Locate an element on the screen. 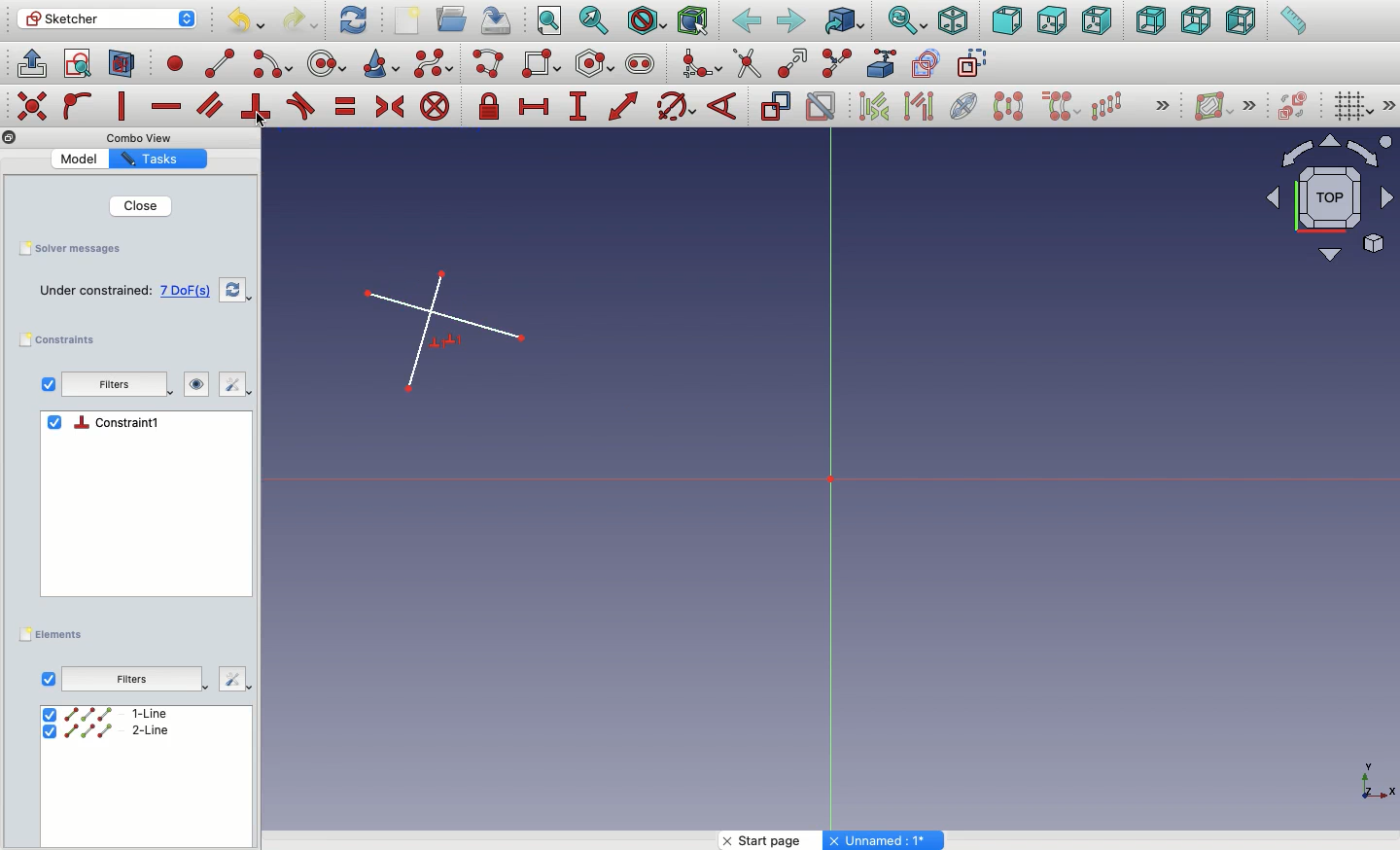 Image resolution: width=1400 pixels, height=850 pixels. Bounding box is located at coordinates (695, 22).